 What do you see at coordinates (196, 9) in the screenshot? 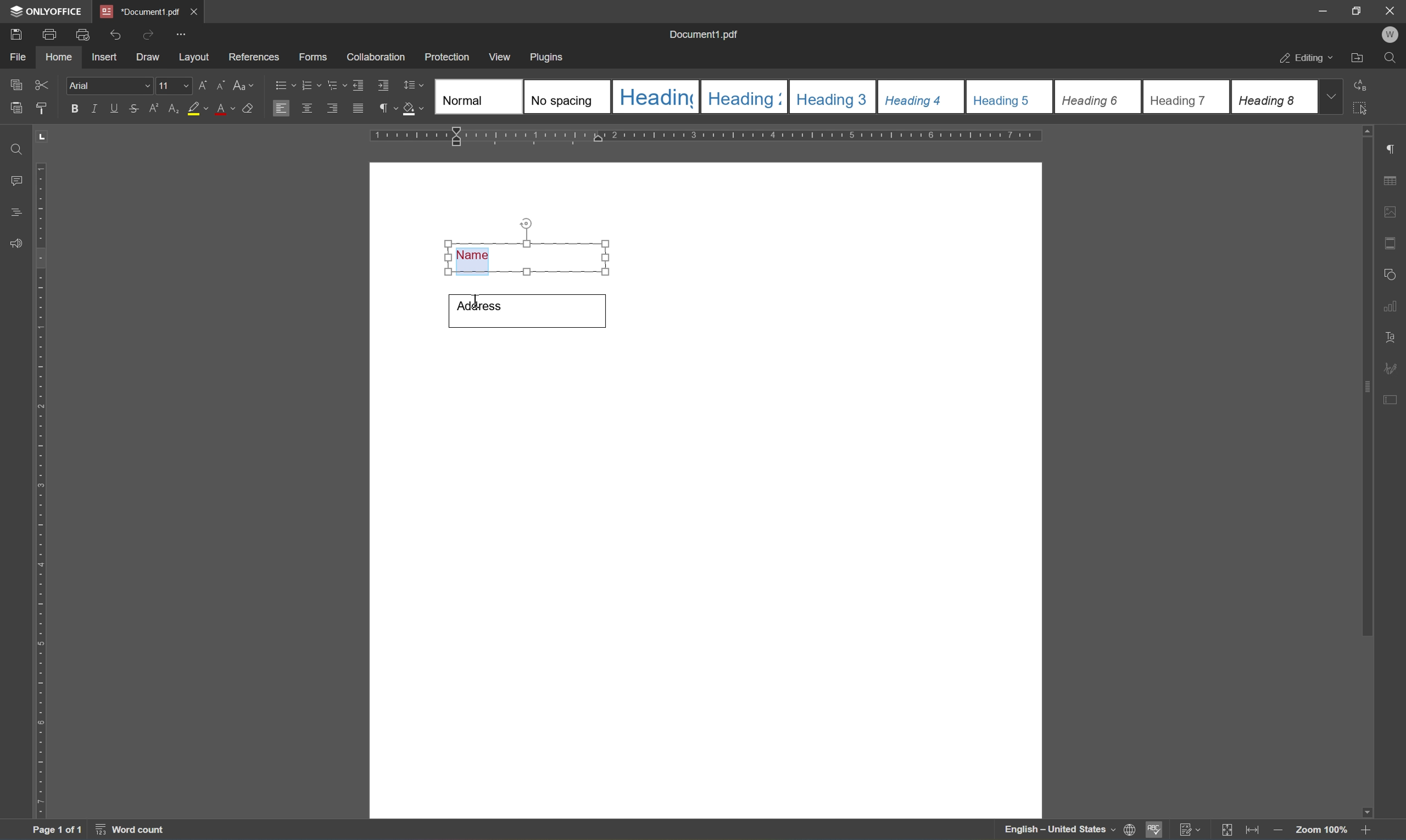
I see `close` at bounding box center [196, 9].